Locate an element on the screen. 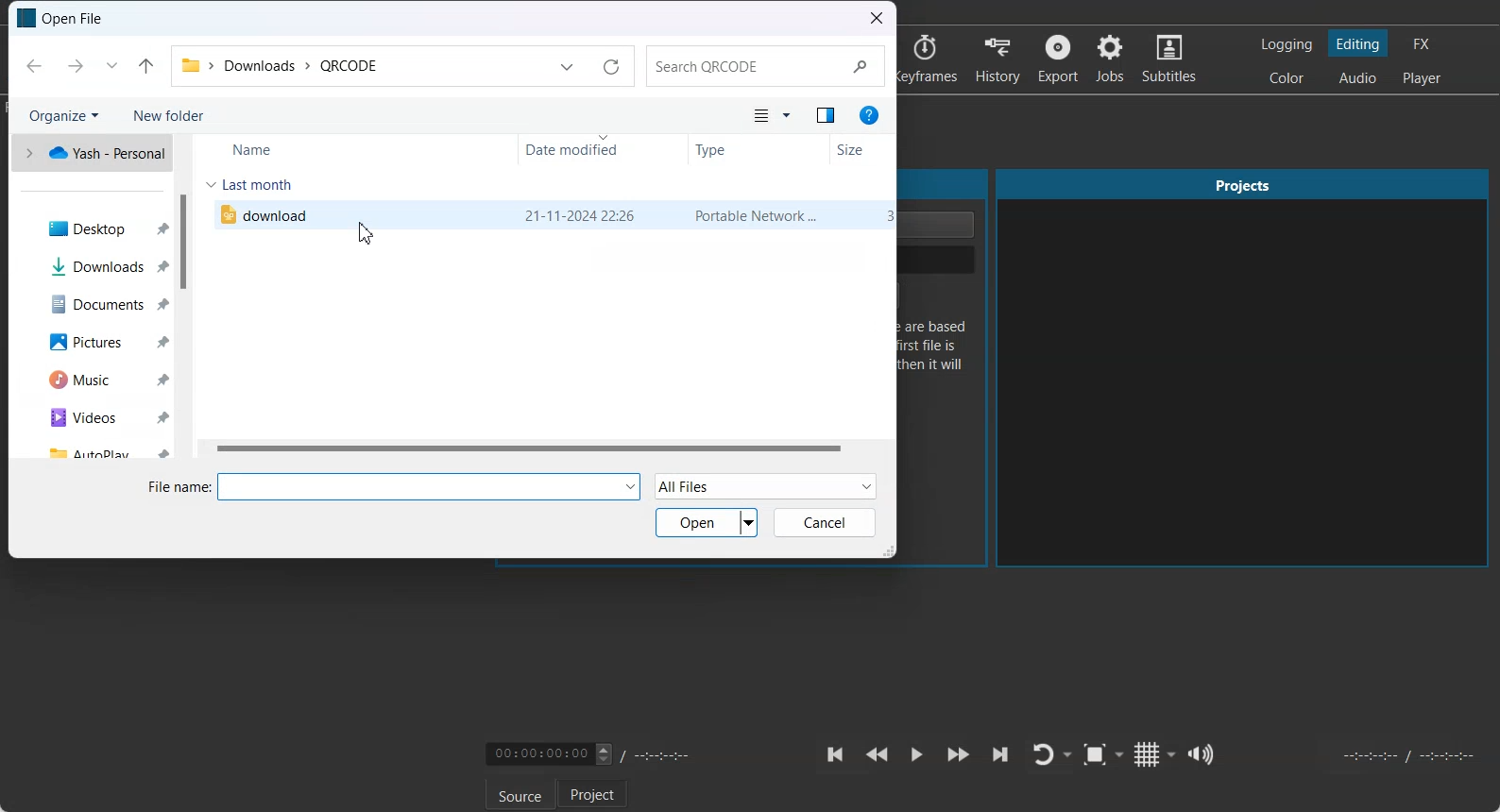 This screenshot has width=1500, height=812. input file name is located at coordinates (430, 486).